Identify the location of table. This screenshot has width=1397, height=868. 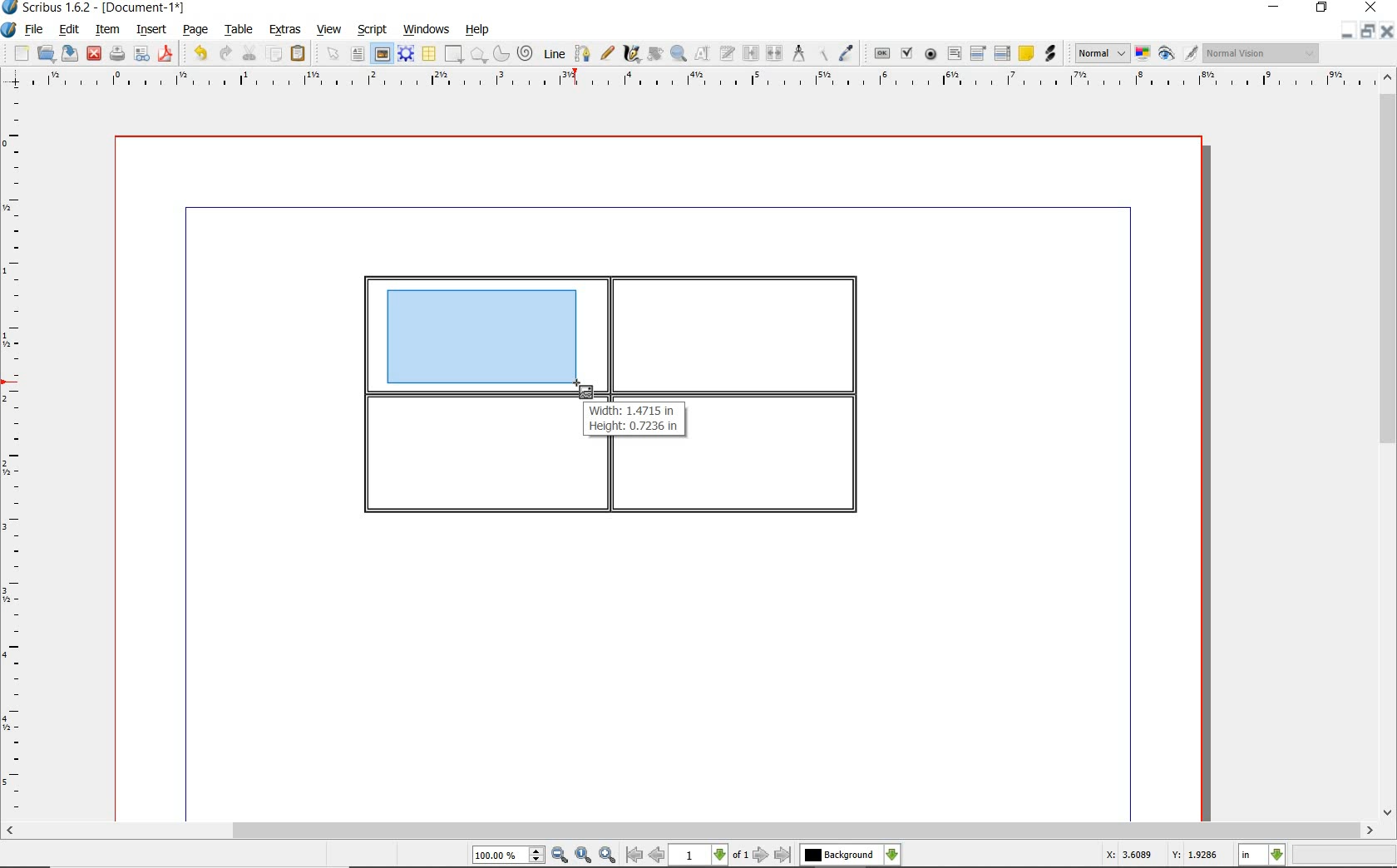
(430, 55).